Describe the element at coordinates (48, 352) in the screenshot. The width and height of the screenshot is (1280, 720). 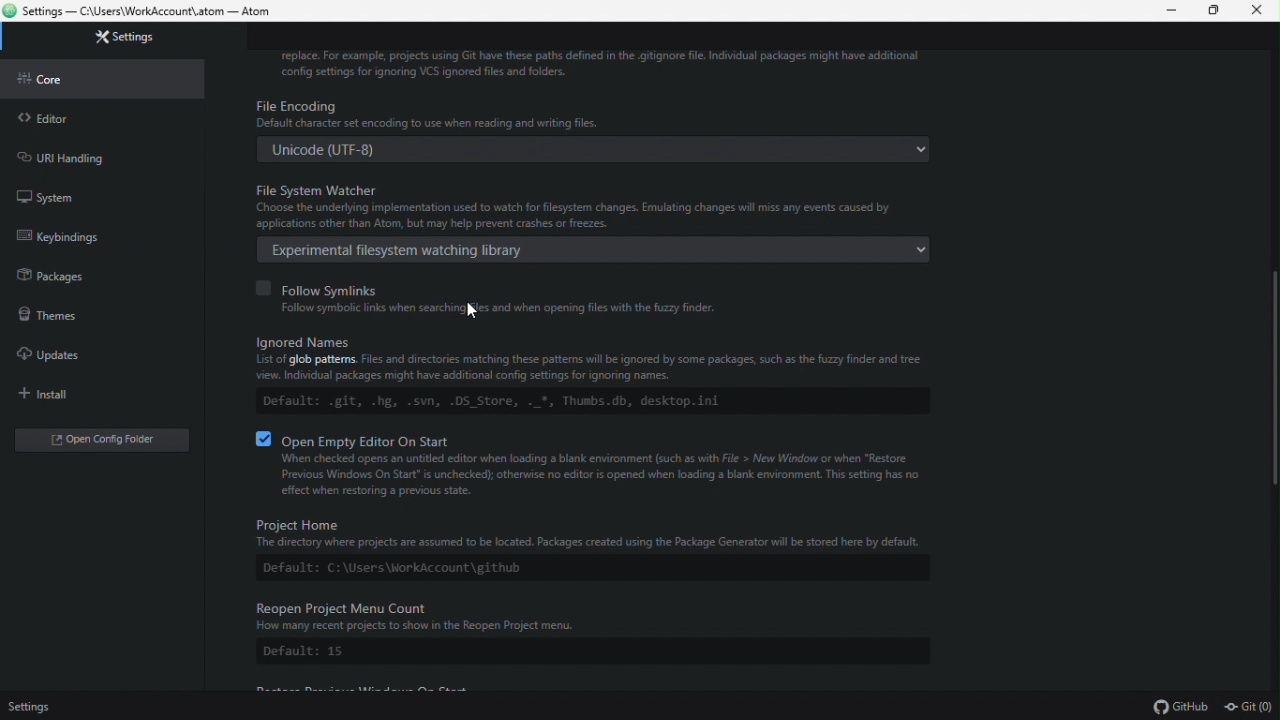
I see `Updates` at that location.